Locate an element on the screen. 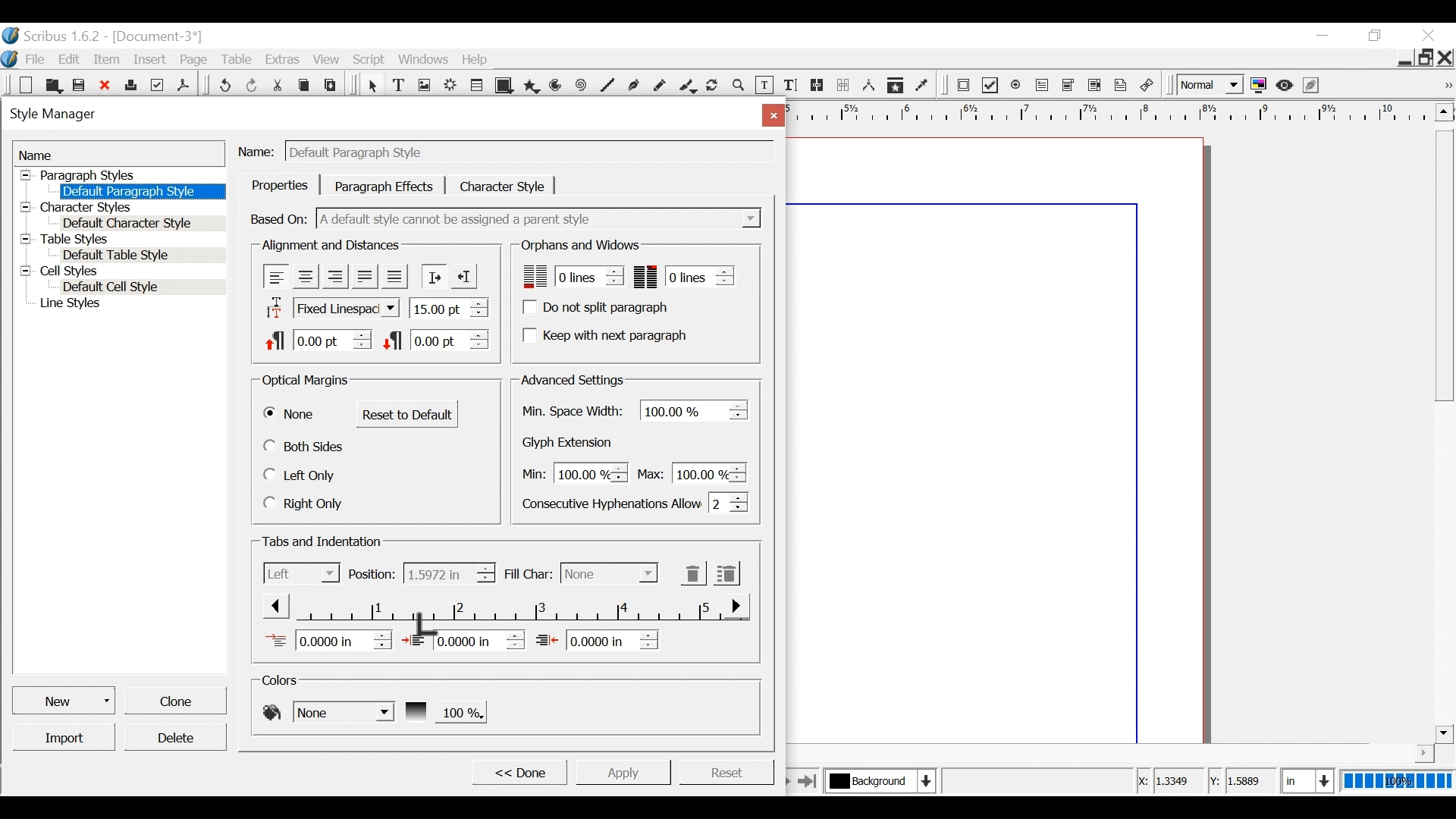 This screenshot has width=1456, height=819. Select is located at coordinates (609, 573).